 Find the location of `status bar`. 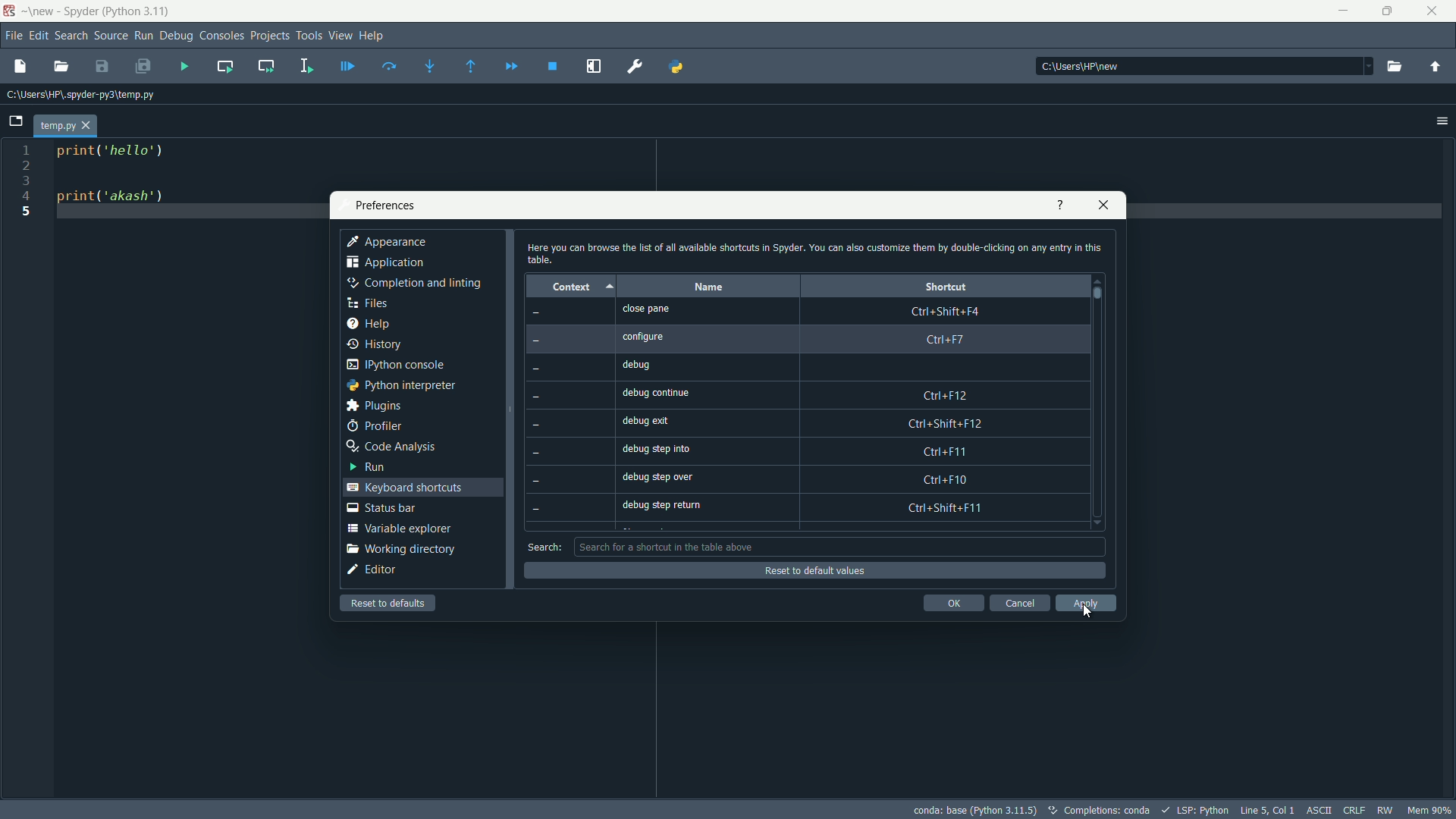

status bar is located at coordinates (381, 508).